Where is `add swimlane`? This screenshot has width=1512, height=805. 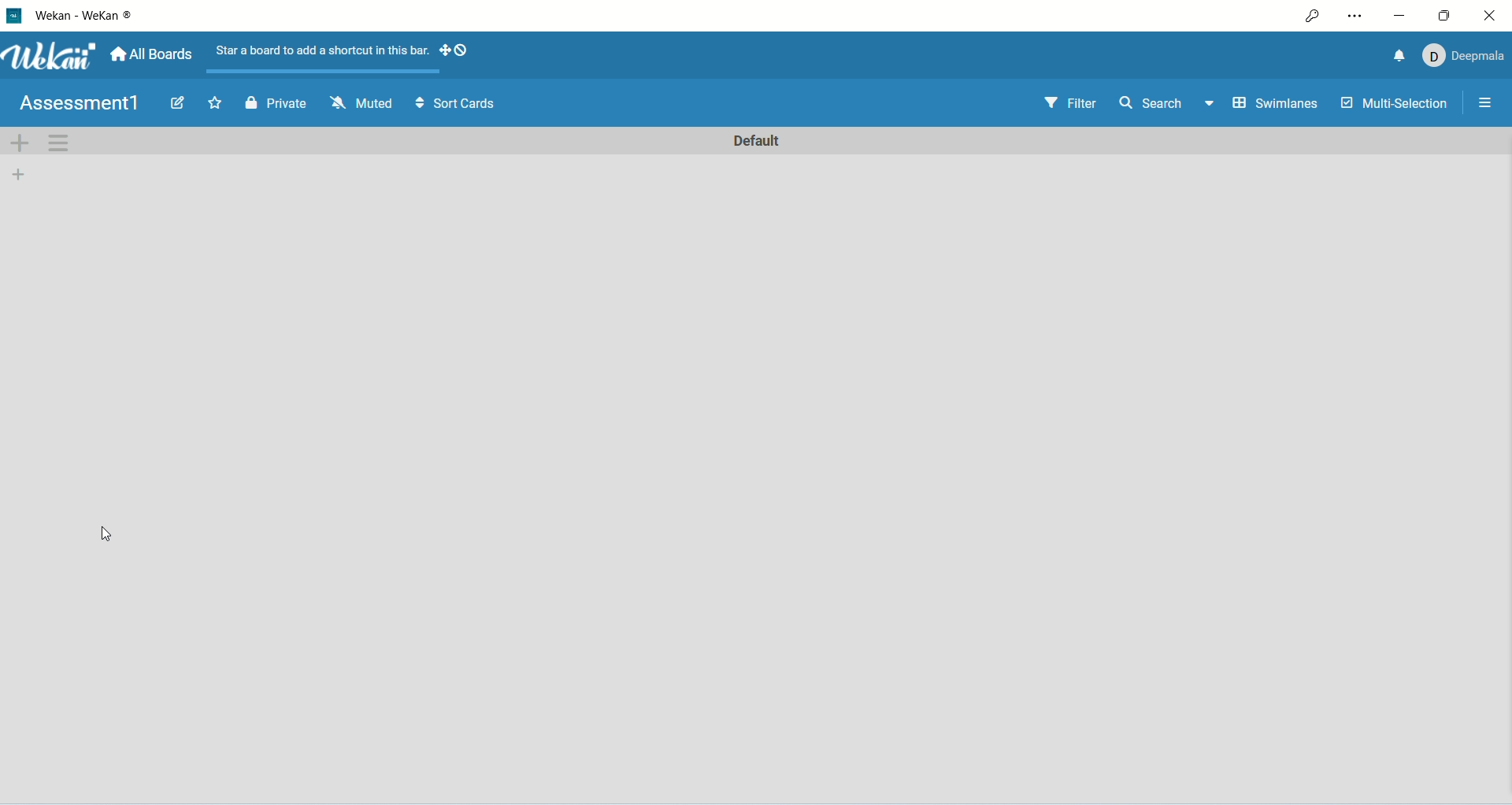 add swimlane is located at coordinates (20, 143).